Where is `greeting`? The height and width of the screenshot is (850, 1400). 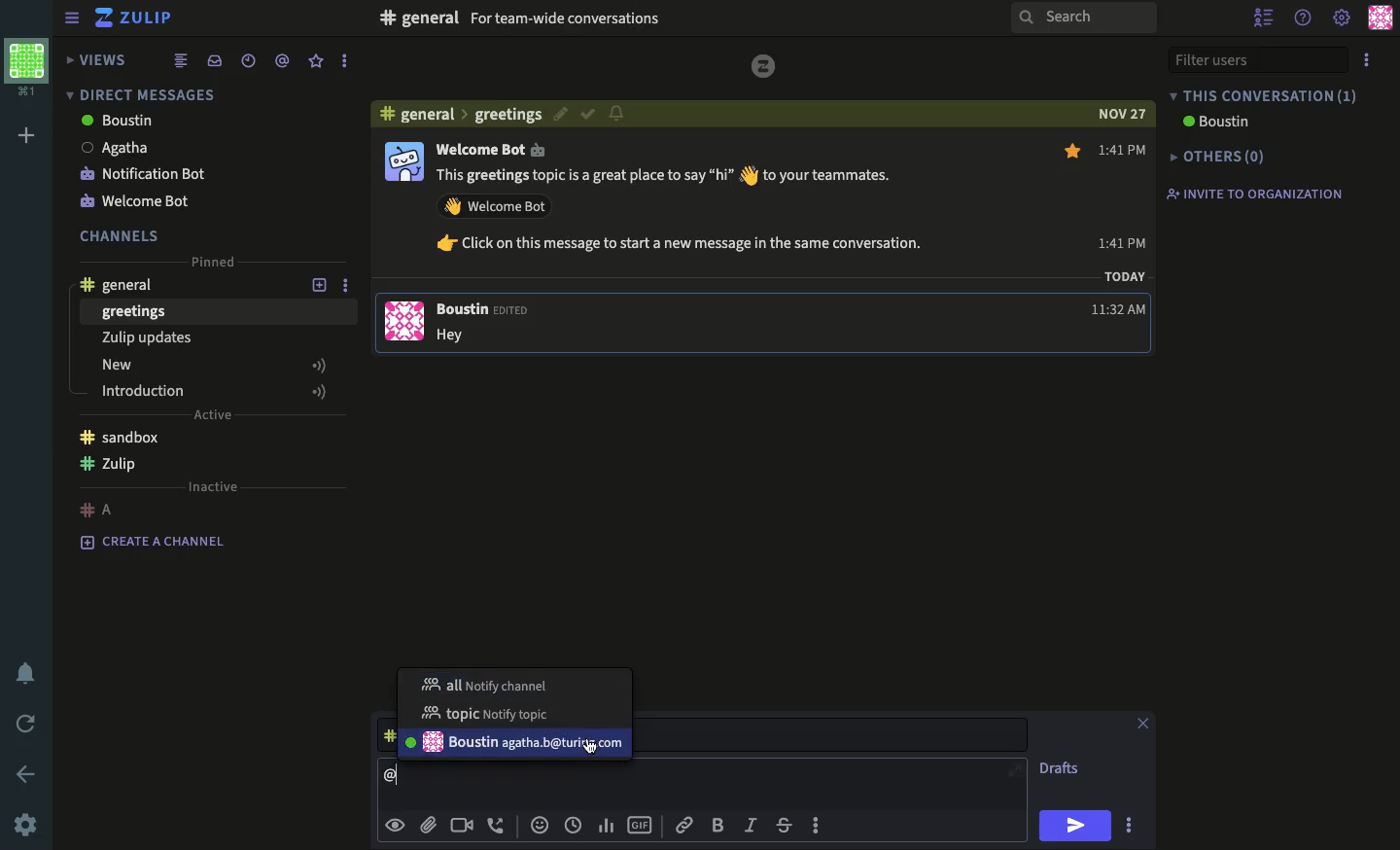 greeting is located at coordinates (508, 116).